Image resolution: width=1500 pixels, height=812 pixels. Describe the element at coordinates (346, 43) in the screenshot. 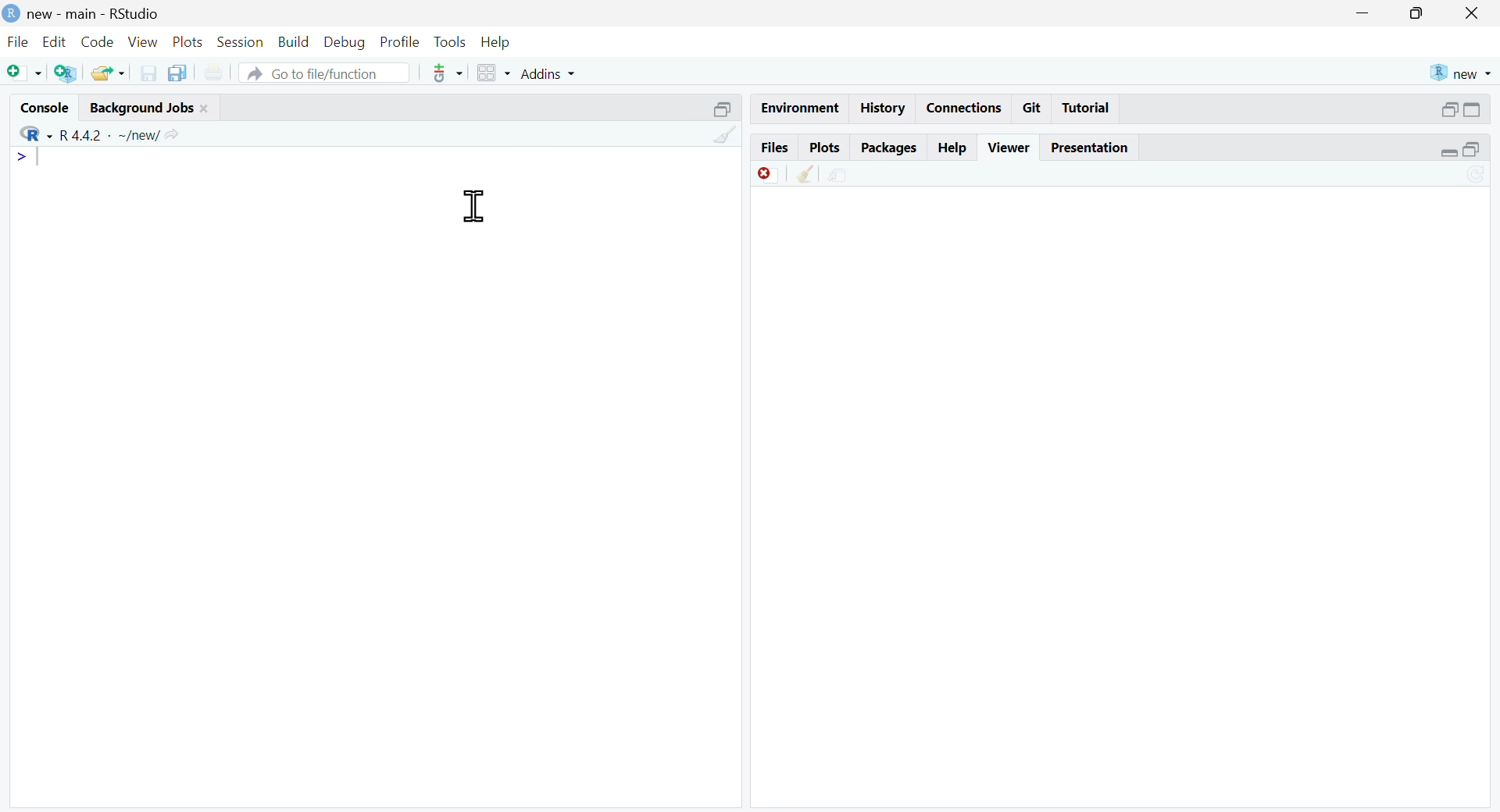

I see `debug` at that location.